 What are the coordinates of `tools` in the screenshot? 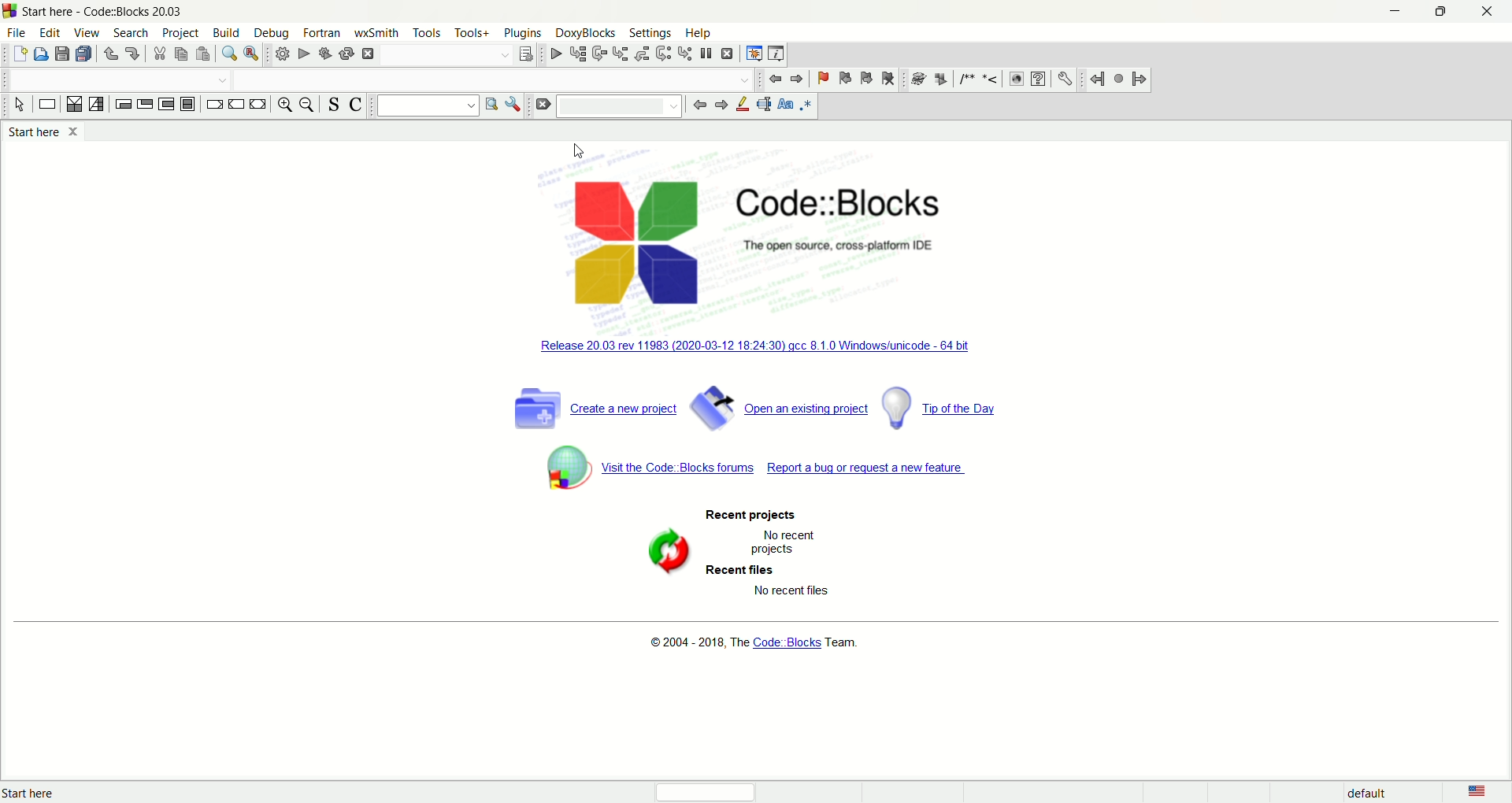 It's located at (472, 32).